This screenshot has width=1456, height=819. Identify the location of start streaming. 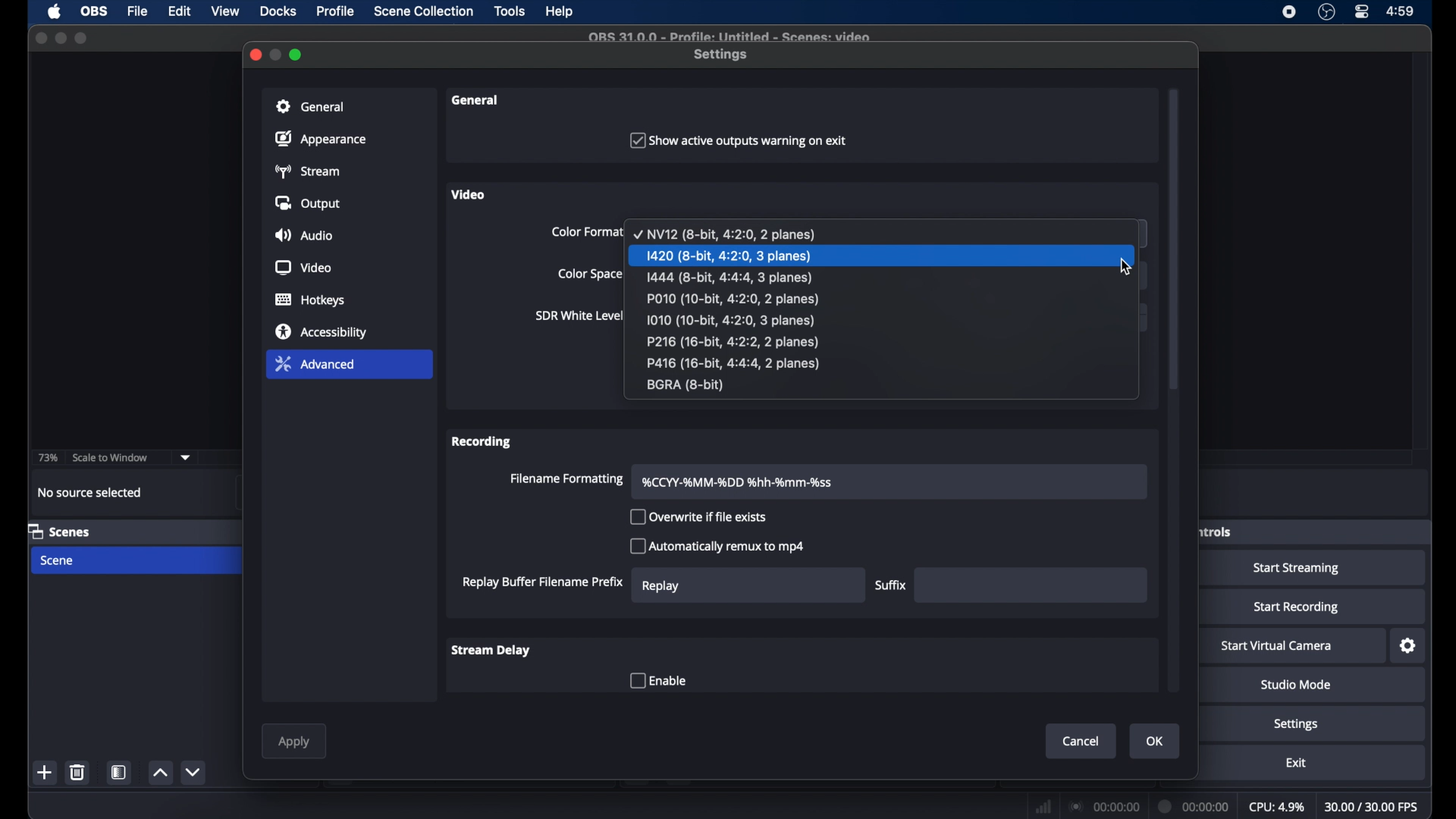
(1297, 570).